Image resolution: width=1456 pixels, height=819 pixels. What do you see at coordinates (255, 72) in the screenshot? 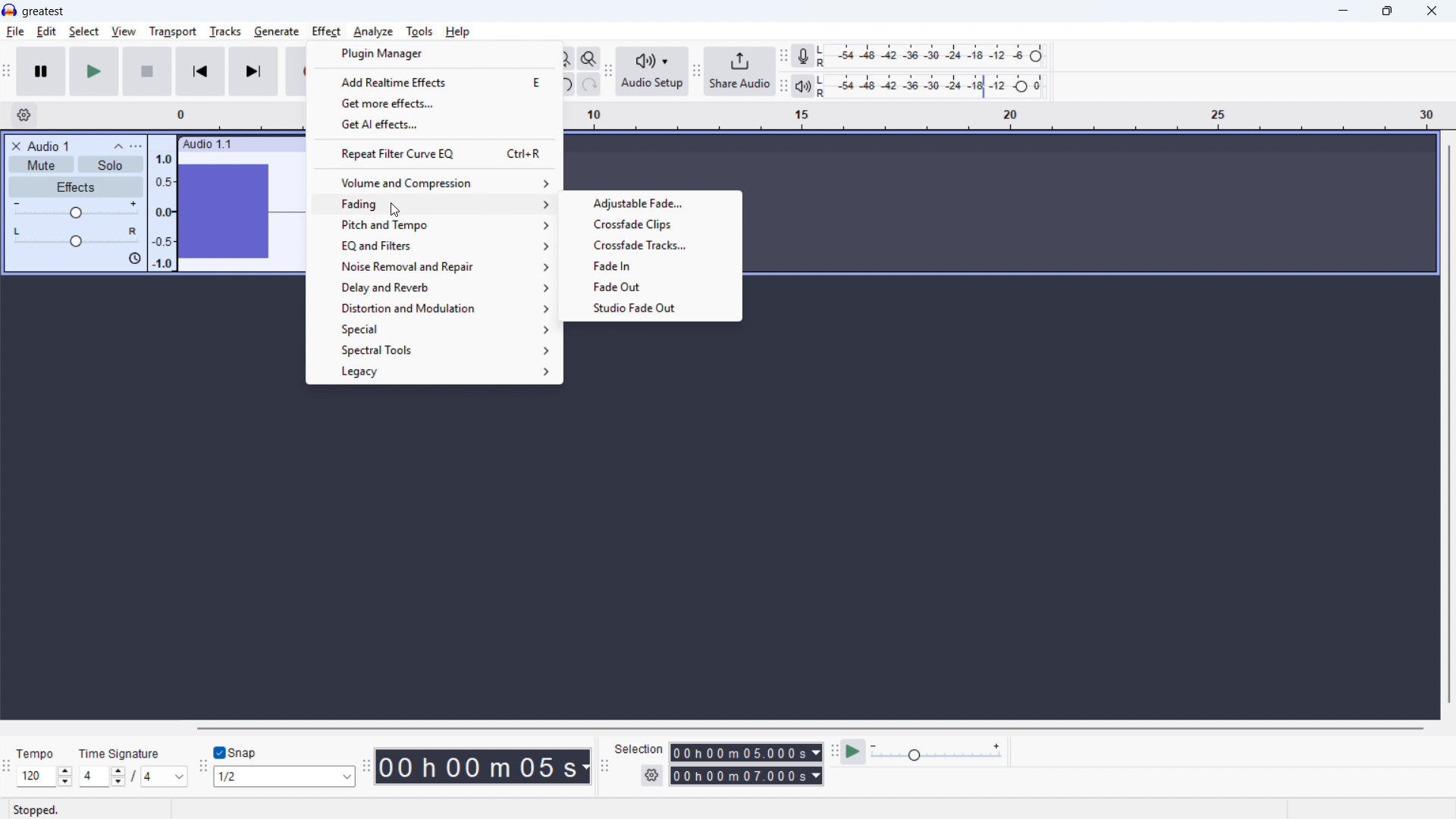
I see `Skip to end ` at bounding box center [255, 72].